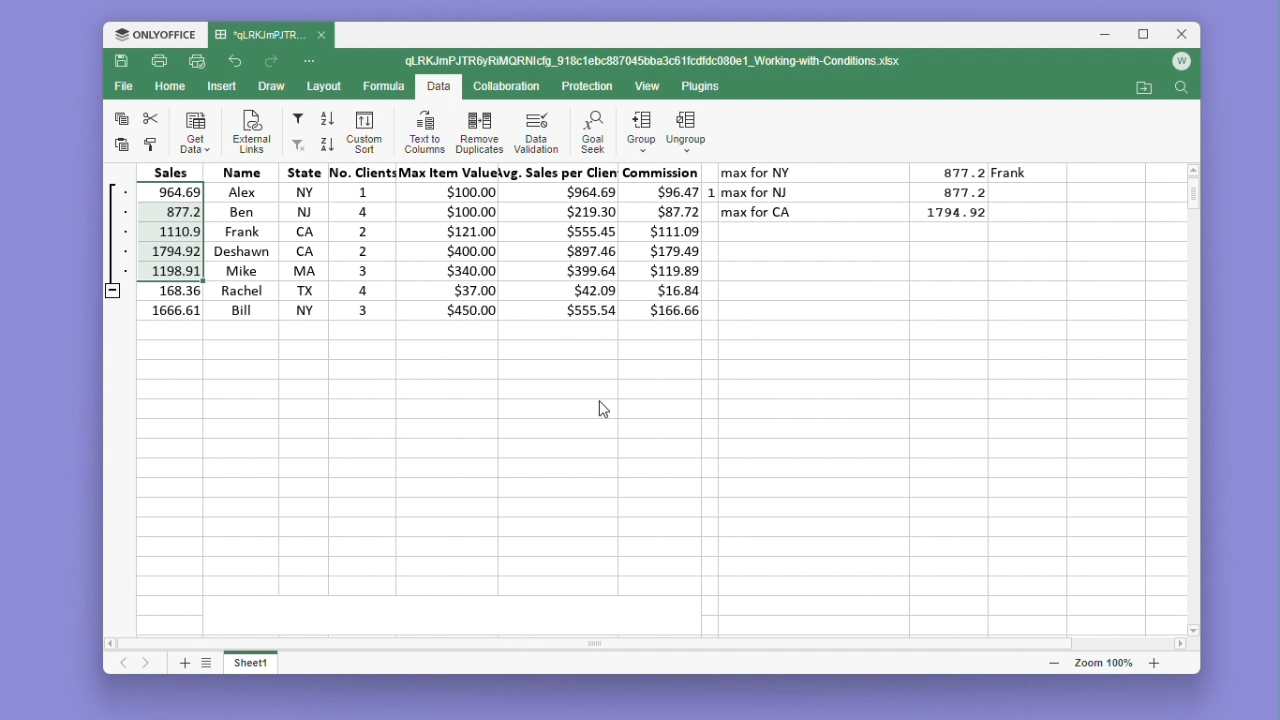  I want to click on group rows, so click(641, 135).